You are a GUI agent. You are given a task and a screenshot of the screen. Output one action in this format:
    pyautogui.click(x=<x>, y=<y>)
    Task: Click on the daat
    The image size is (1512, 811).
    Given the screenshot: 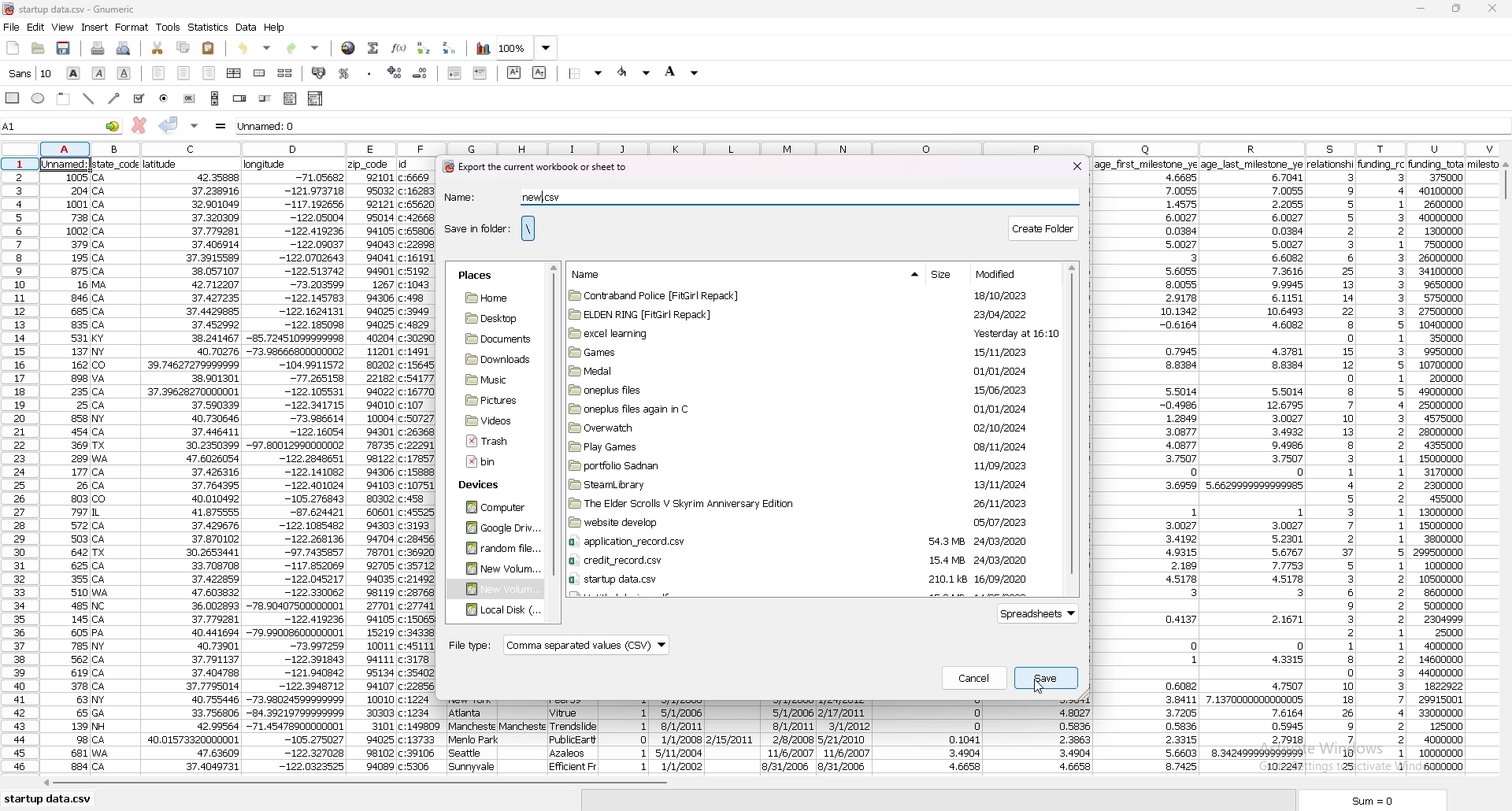 What is the action you would take?
    pyautogui.click(x=419, y=465)
    